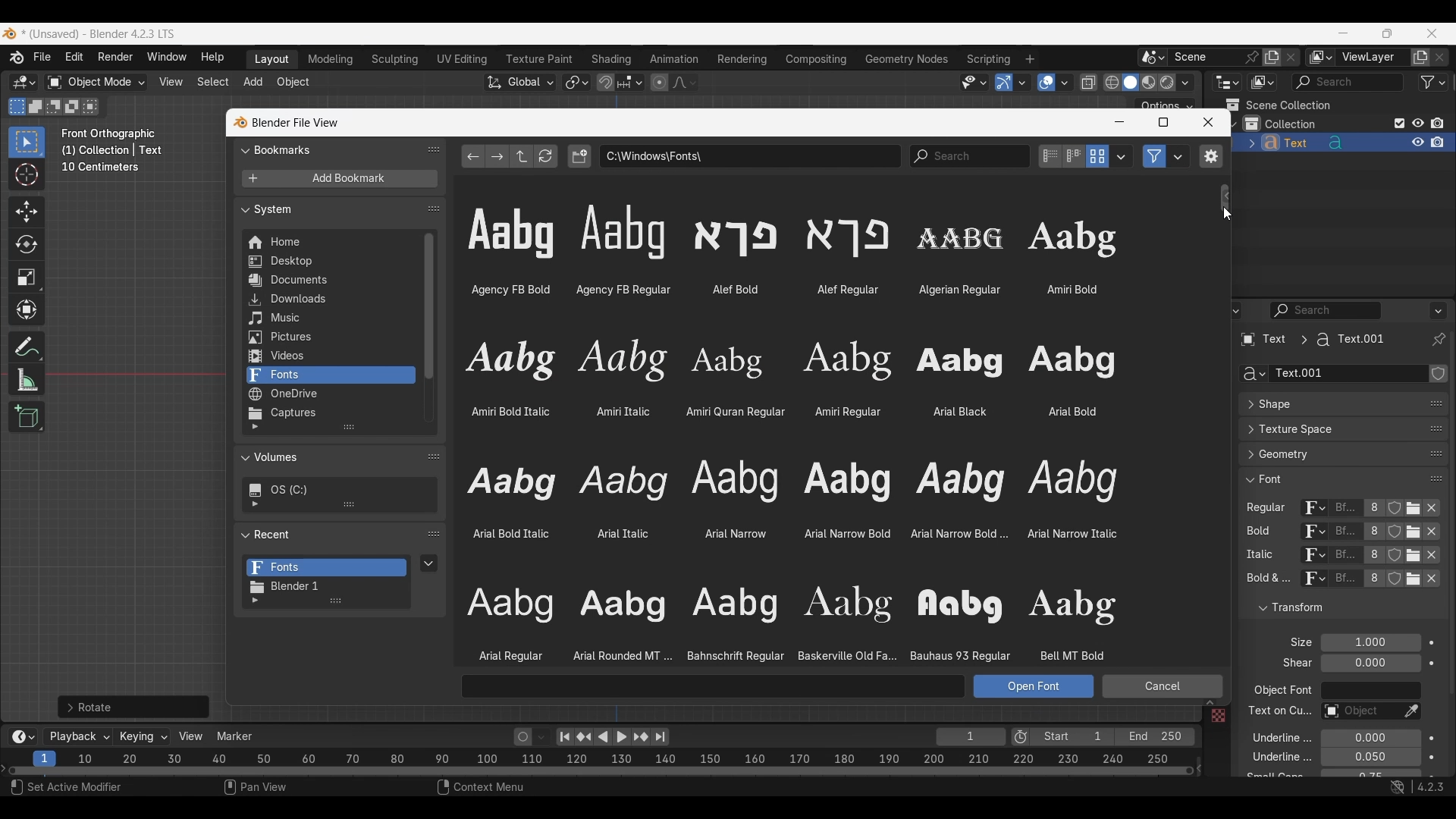 The width and height of the screenshot is (1456, 819). Describe the element at coordinates (1438, 340) in the screenshot. I see `Toggle pin ID` at that location.